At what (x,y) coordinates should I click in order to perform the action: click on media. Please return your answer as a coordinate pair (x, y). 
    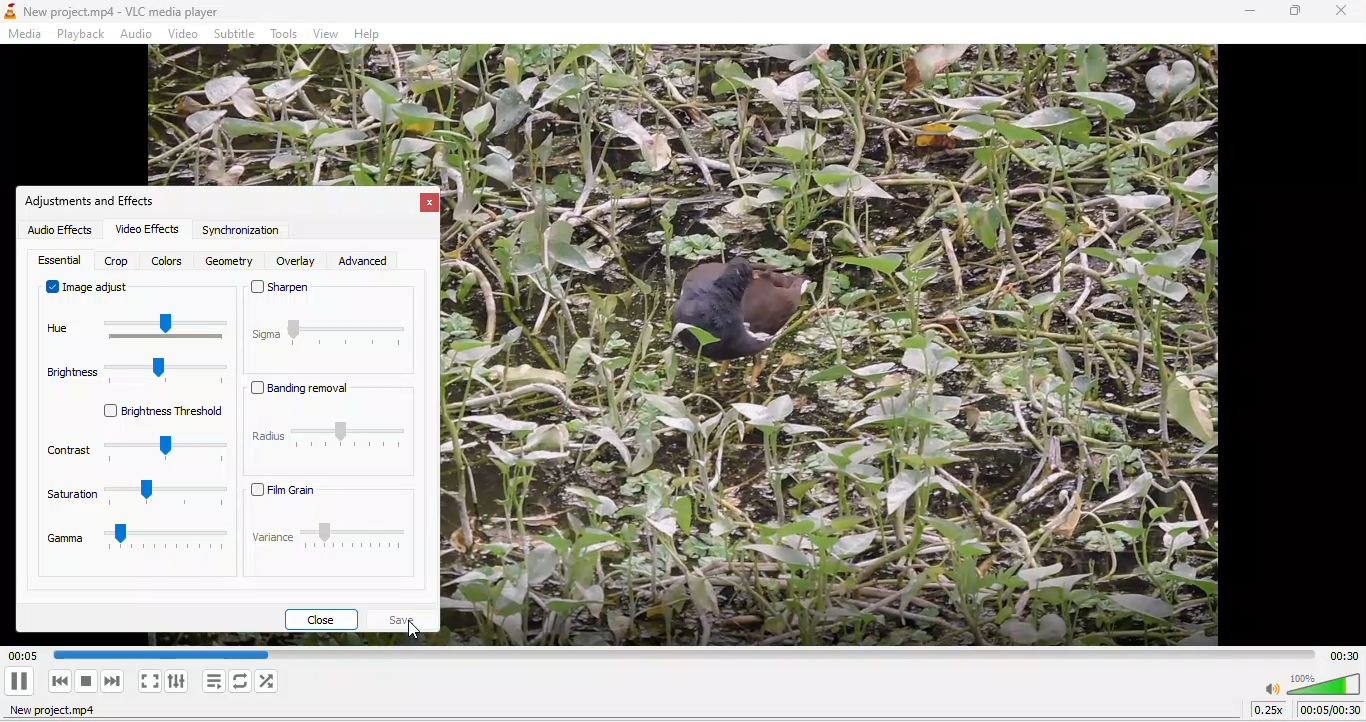
    Looking at the image, I should click on (28, 34).